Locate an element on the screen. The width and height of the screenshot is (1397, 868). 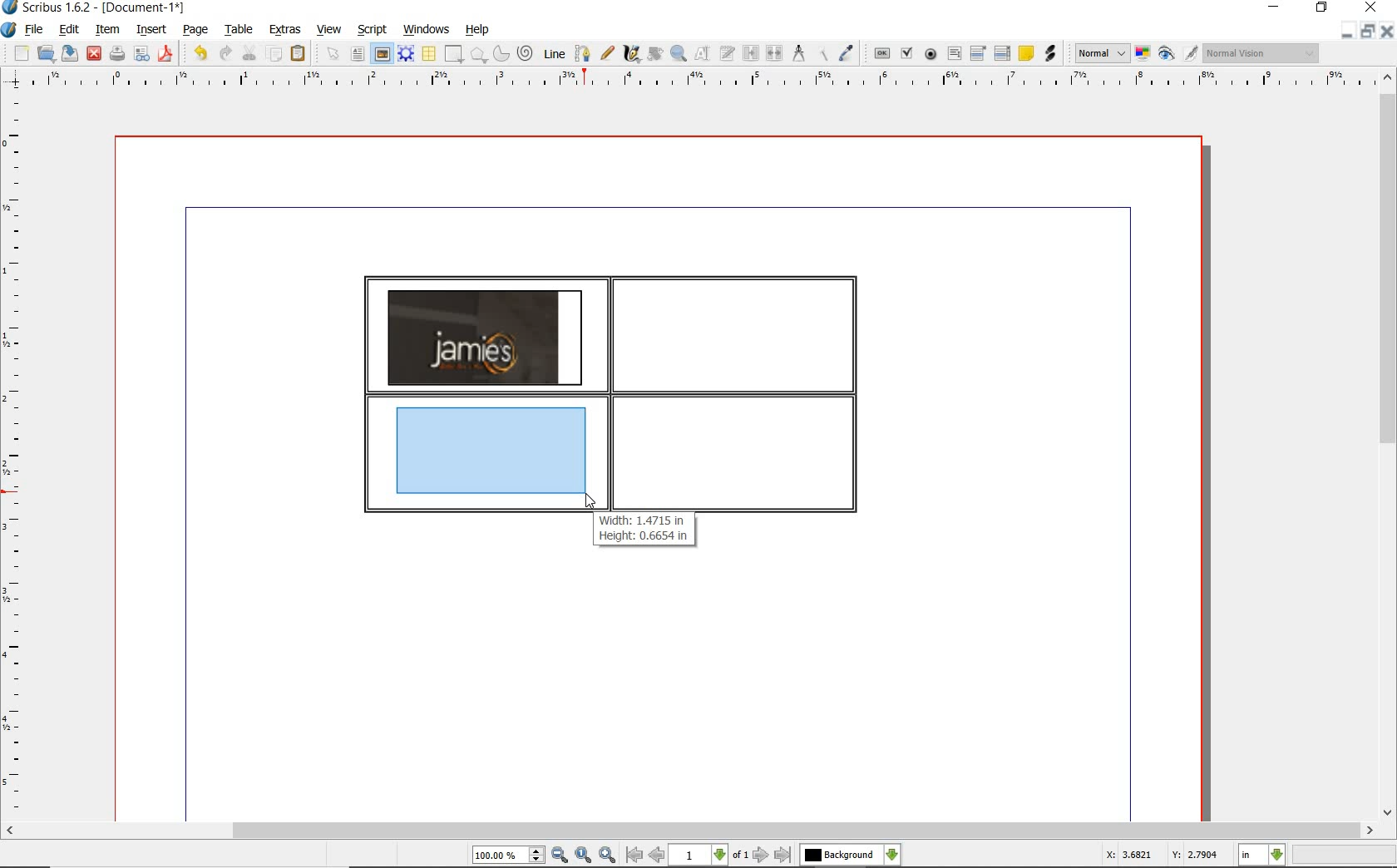
help is located at coordinates (477, 30).